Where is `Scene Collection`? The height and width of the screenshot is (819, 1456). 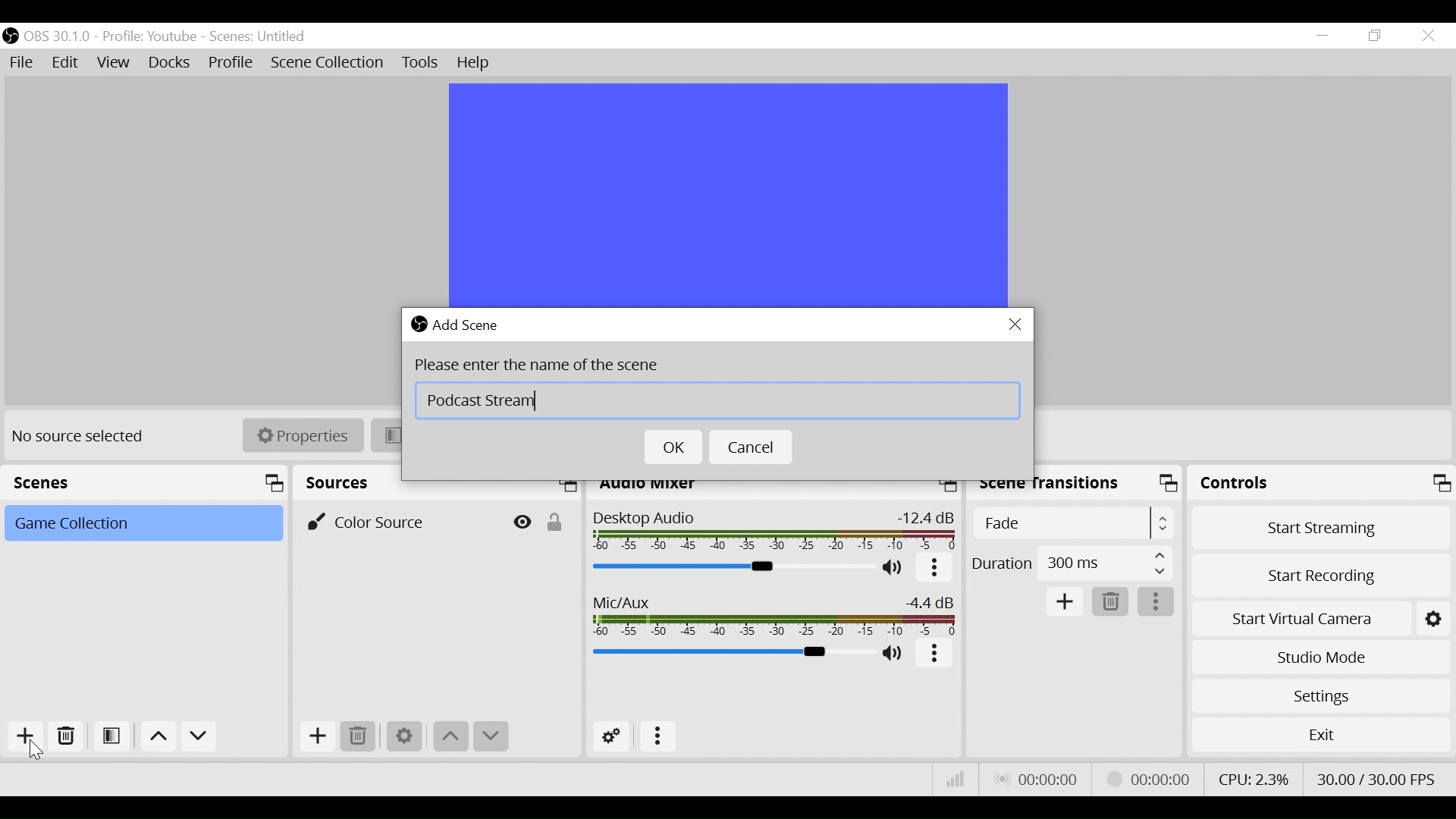
Scene Collection is located at coordinates (329, 63).